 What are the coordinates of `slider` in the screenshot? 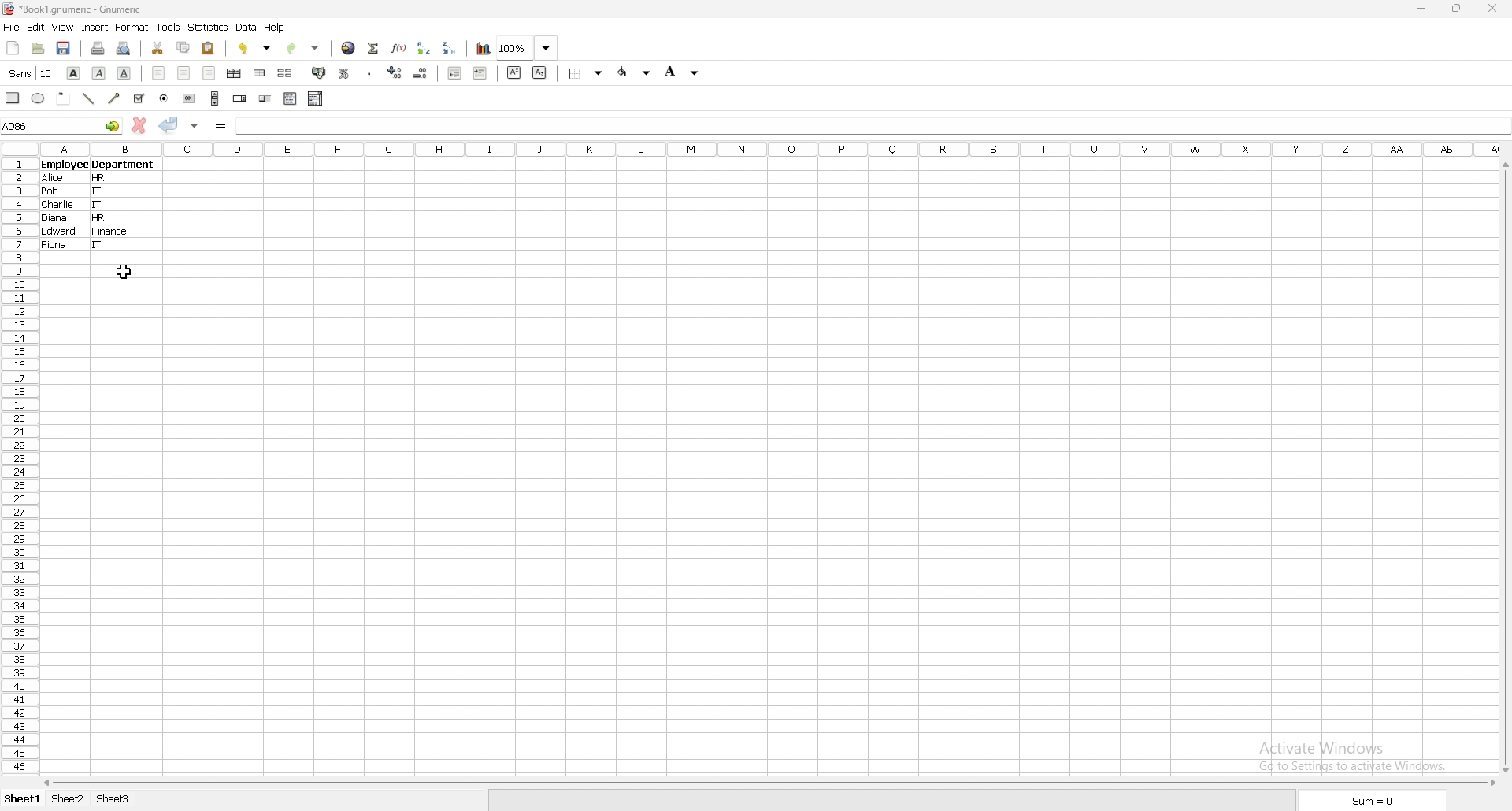 It's located at (266, 99).